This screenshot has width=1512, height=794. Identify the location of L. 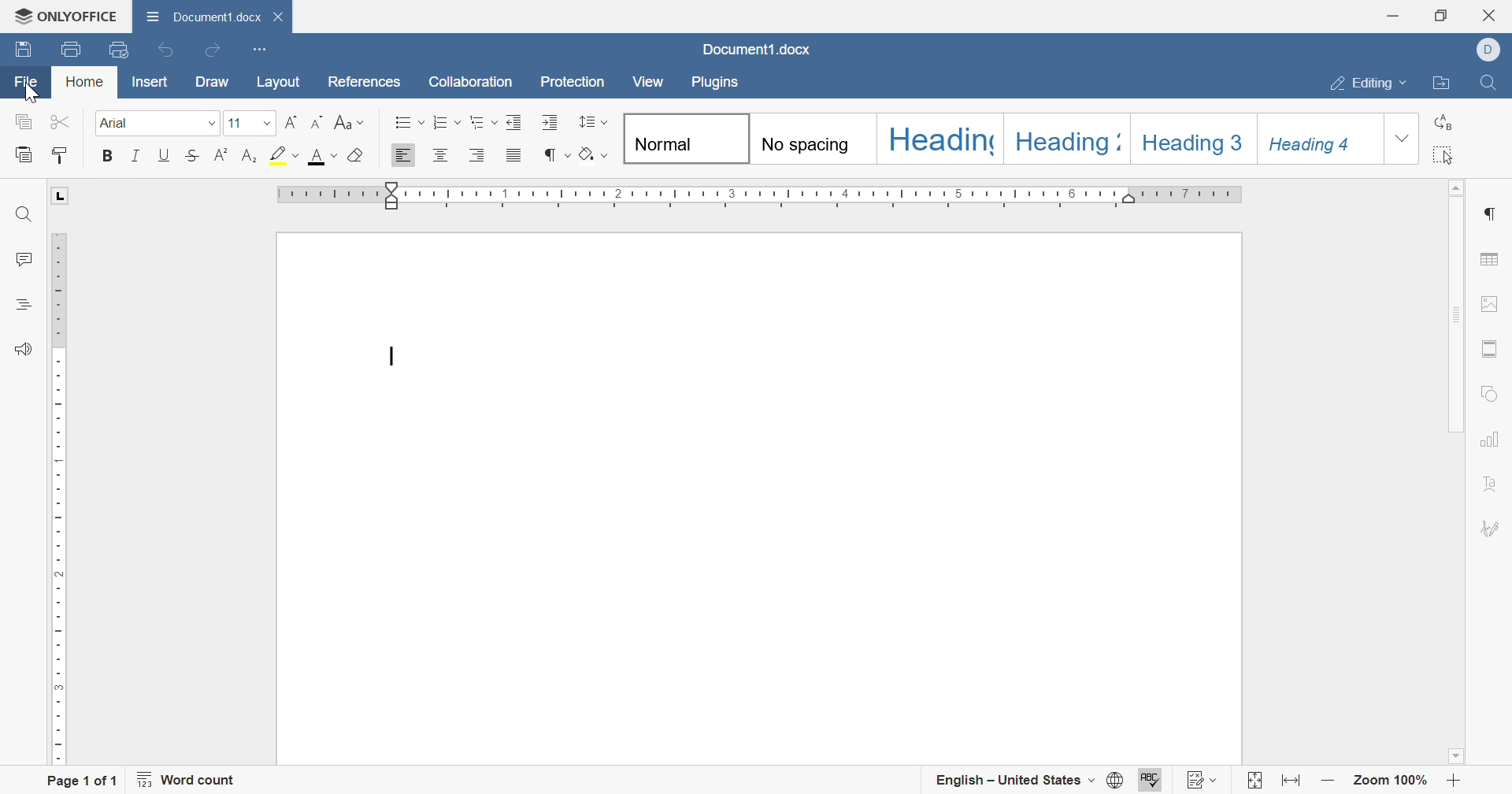
(60, 198).